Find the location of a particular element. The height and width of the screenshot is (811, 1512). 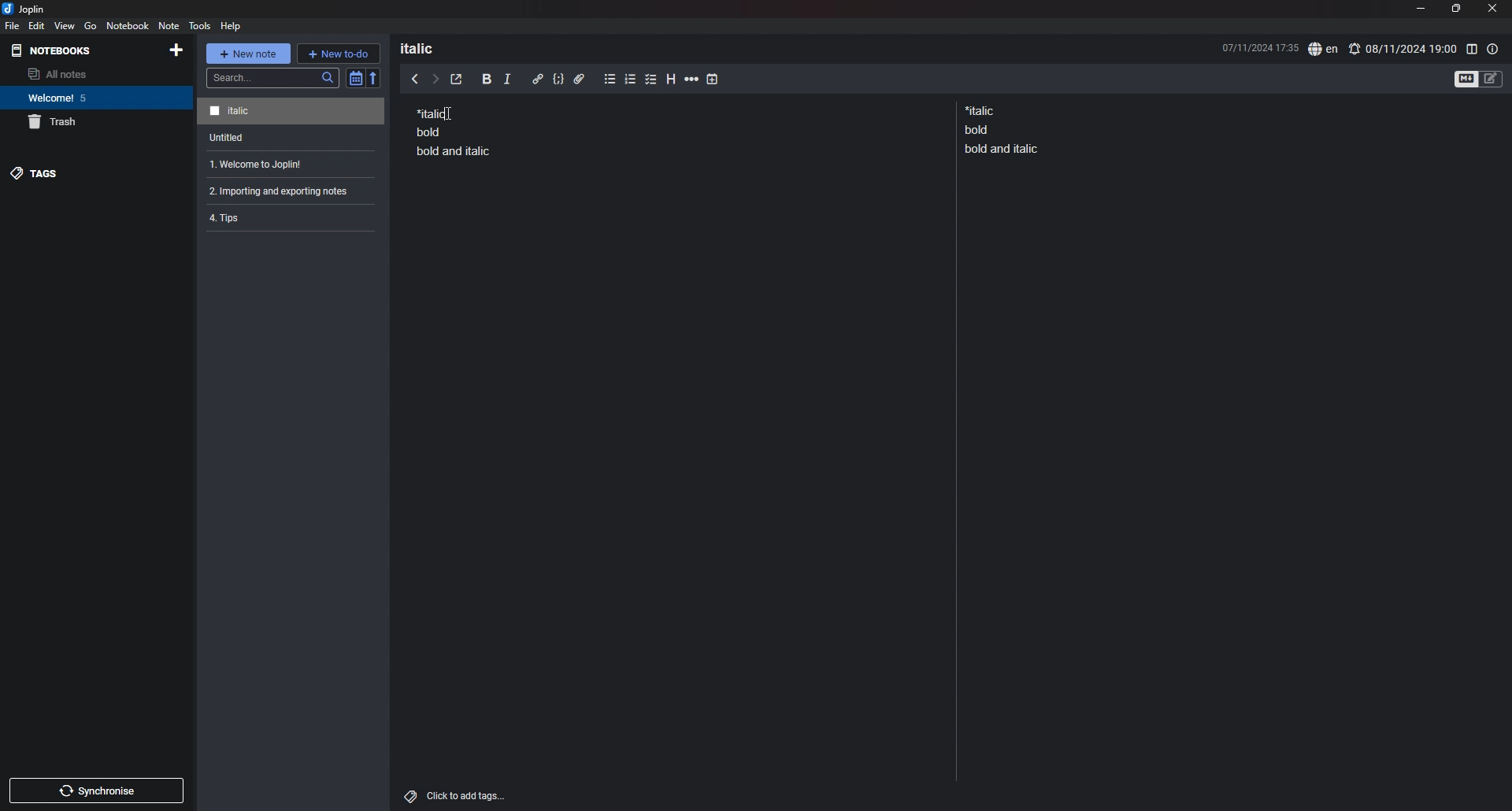

note is located at coordinates (284, 191).